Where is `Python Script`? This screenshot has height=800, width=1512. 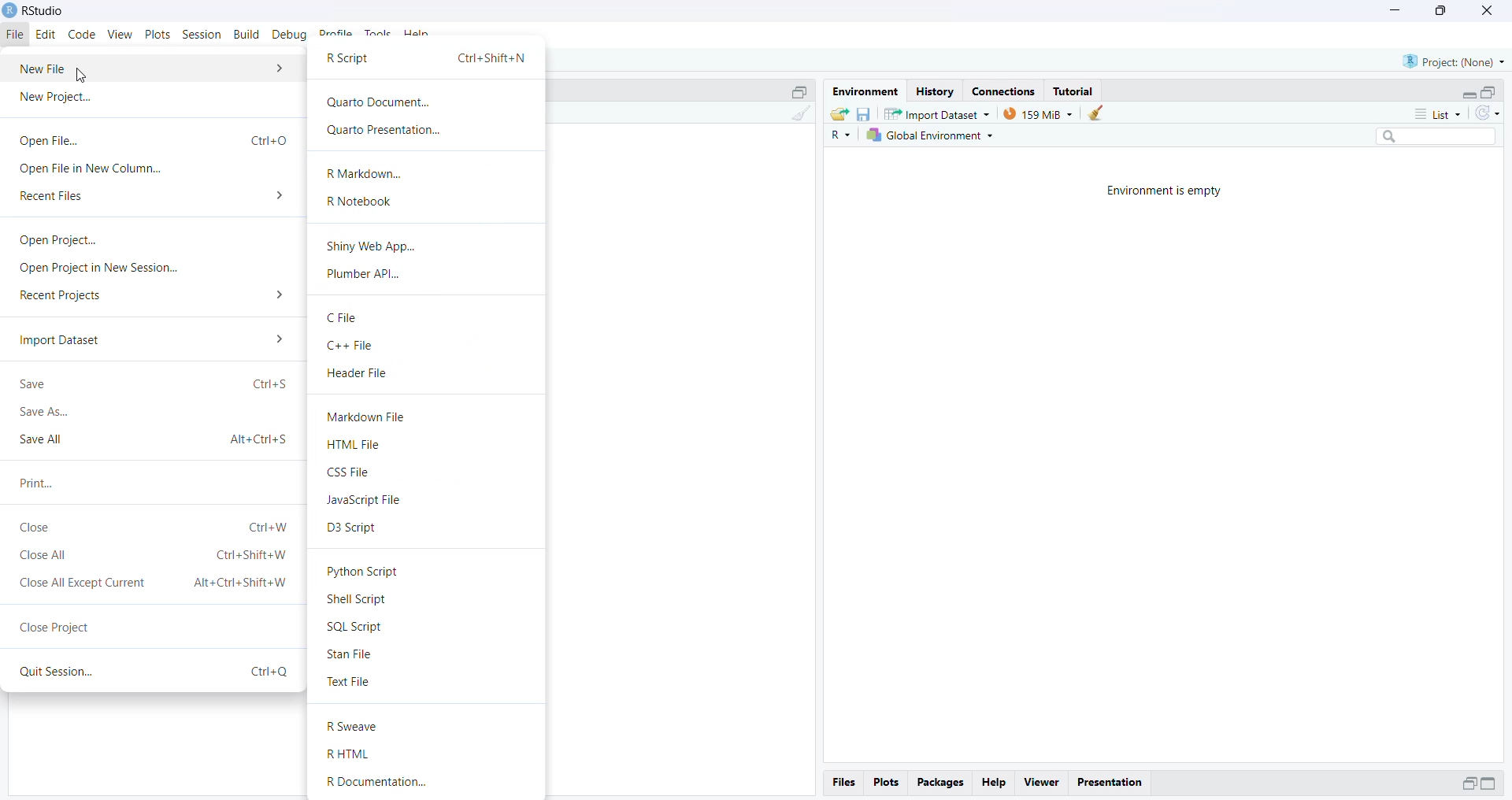 Python Script is located at coordinates (366, 570).